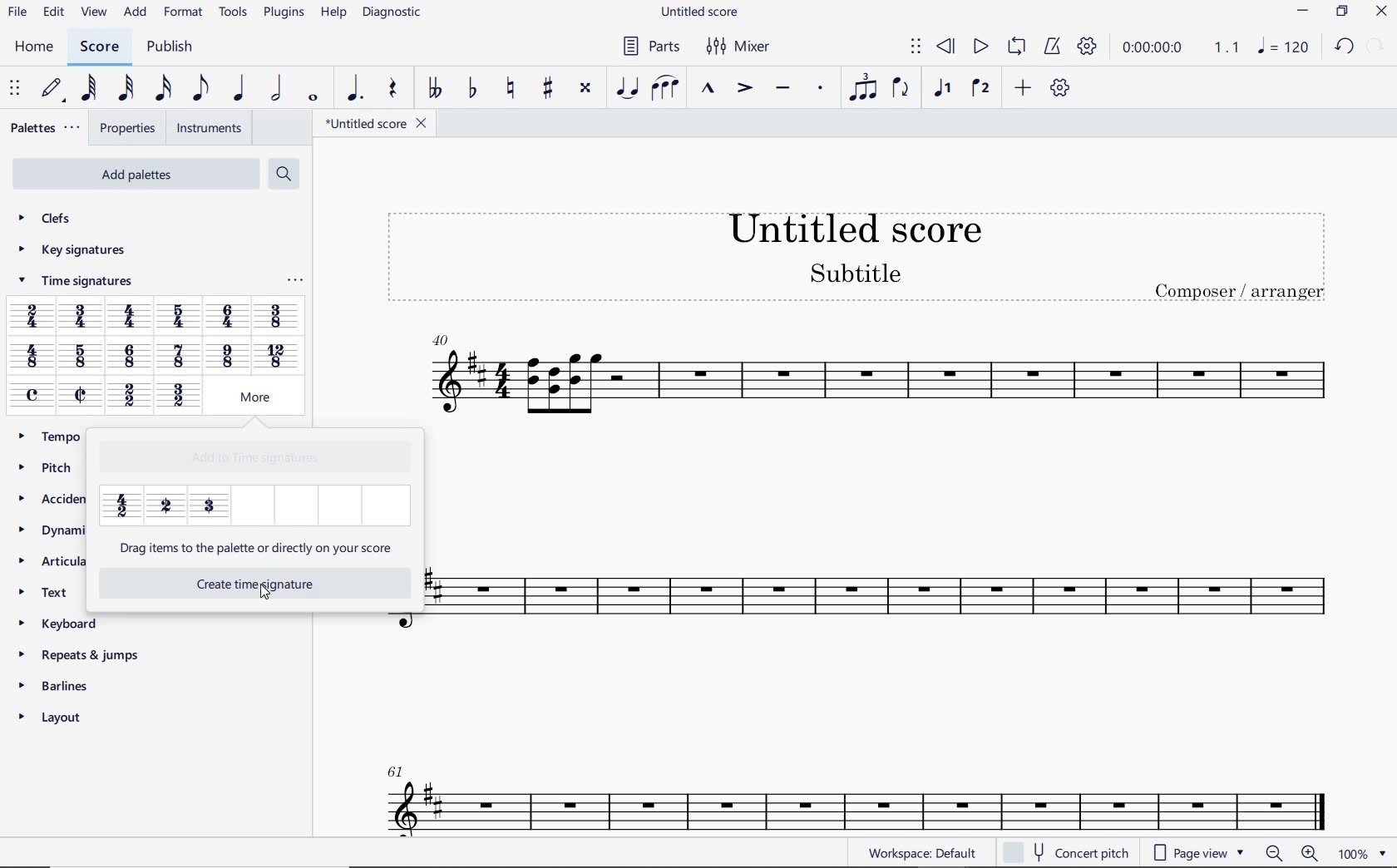  Describe the element at coordinates (920, 853) in the screenshot. I see `WORKSPACE: DEFAULT` at that location.